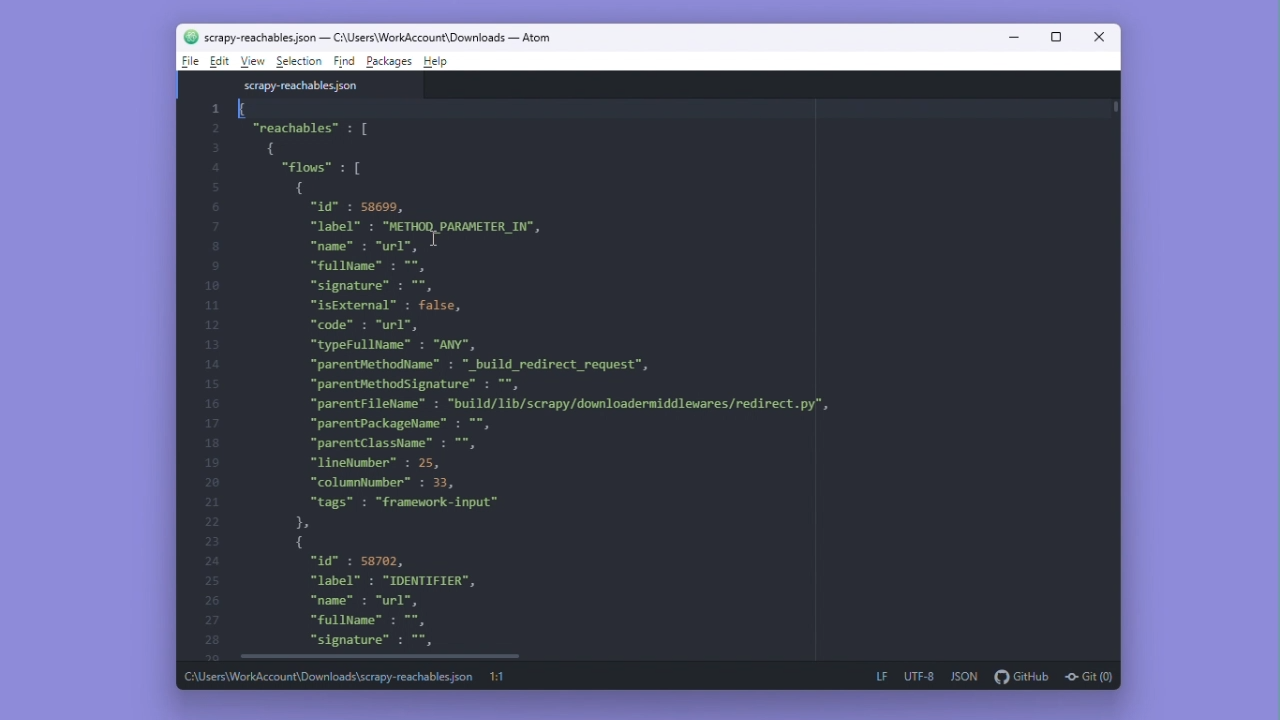 This screenshot has width=1280, height=720. What do you see at coordinates (499, 677) in the screenshot?
I see `1:1` at bounding box center [499, 677].